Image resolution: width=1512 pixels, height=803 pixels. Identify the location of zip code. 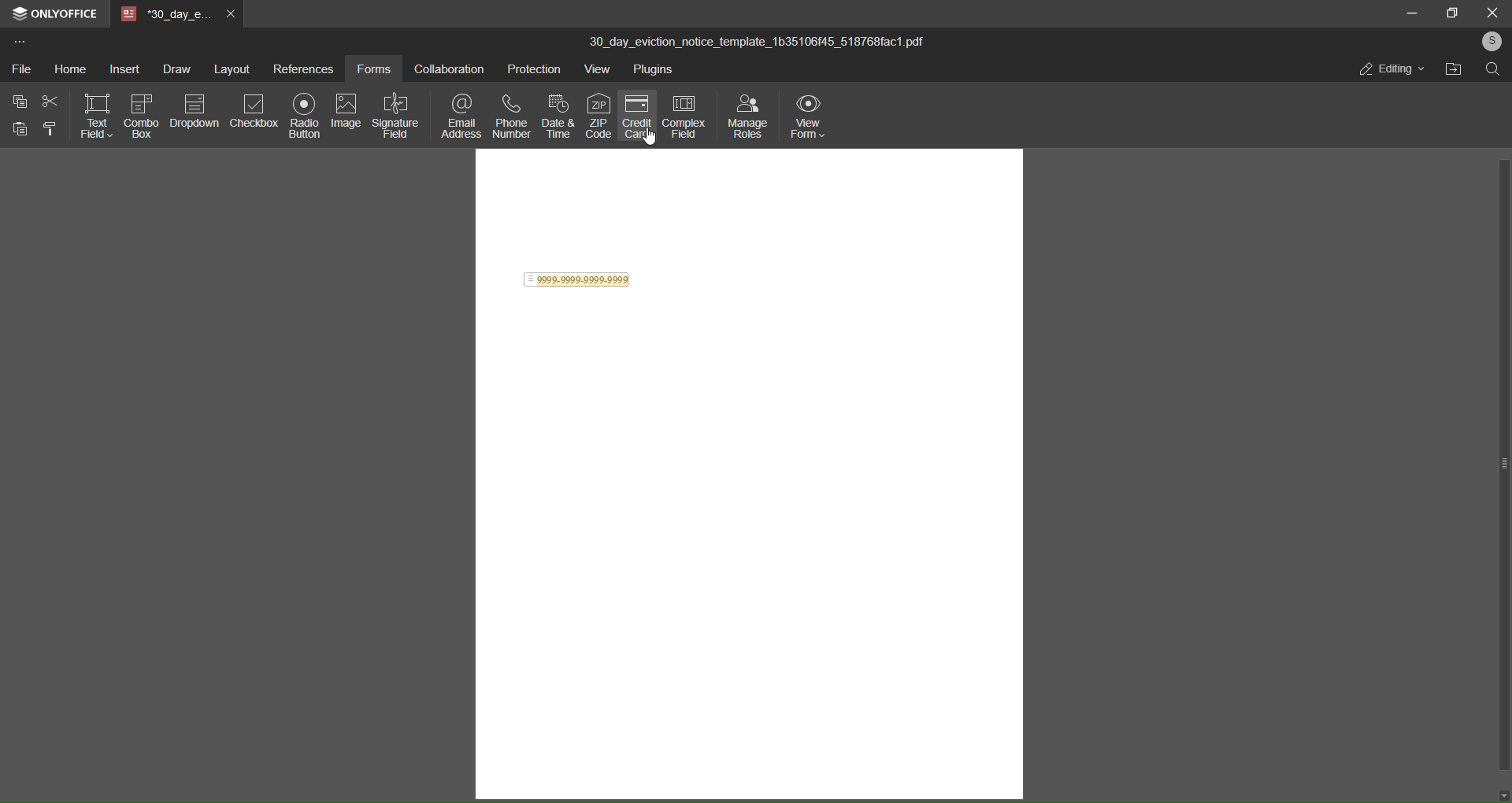
(598, 116).